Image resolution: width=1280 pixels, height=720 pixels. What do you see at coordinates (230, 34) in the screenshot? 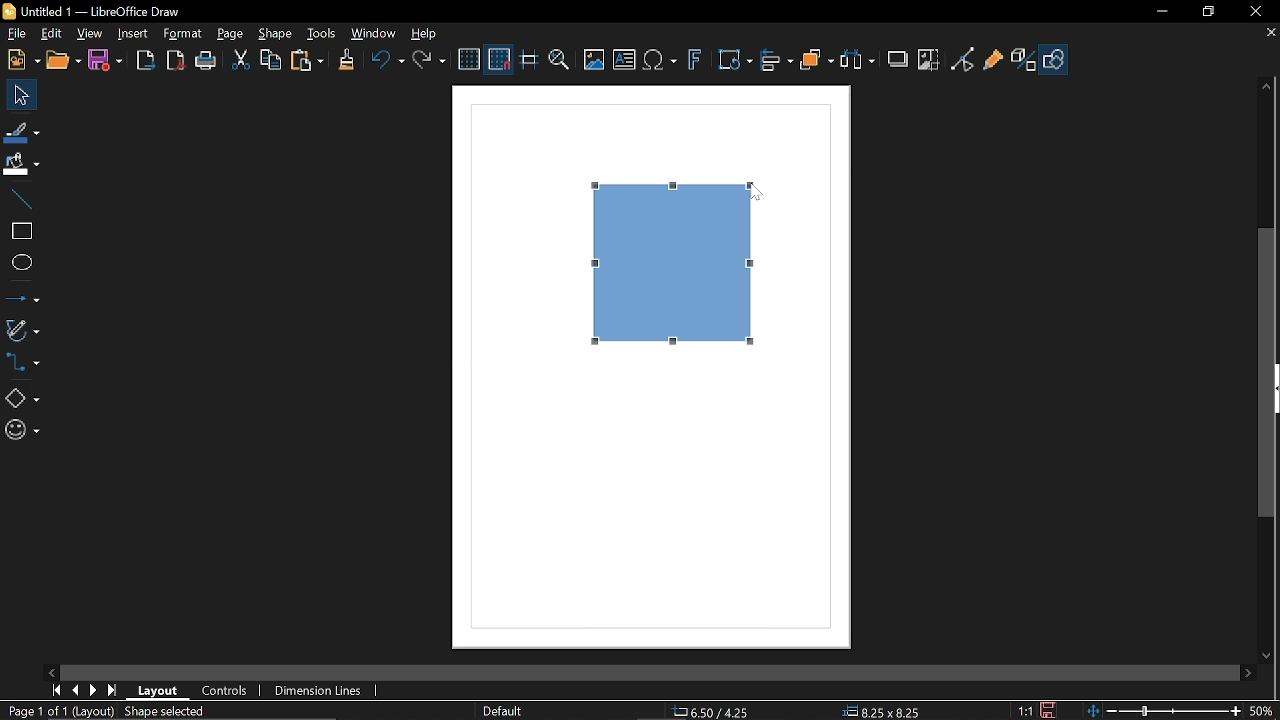
I see `Page` at bounding box center [230, 34].